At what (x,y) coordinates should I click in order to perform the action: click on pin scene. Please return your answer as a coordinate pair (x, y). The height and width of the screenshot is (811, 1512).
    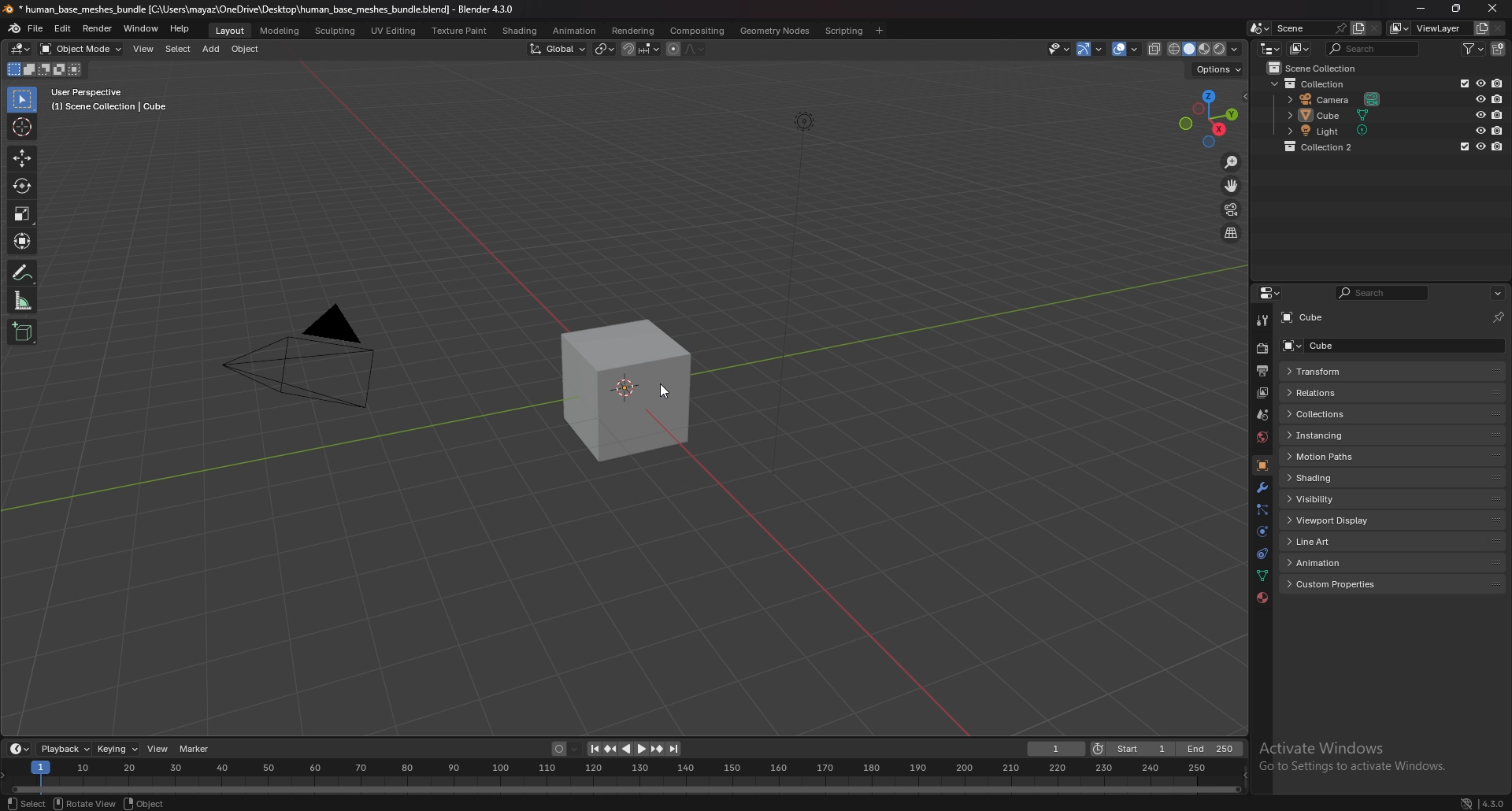
    Looking at the image, I should click on (1340, 27).